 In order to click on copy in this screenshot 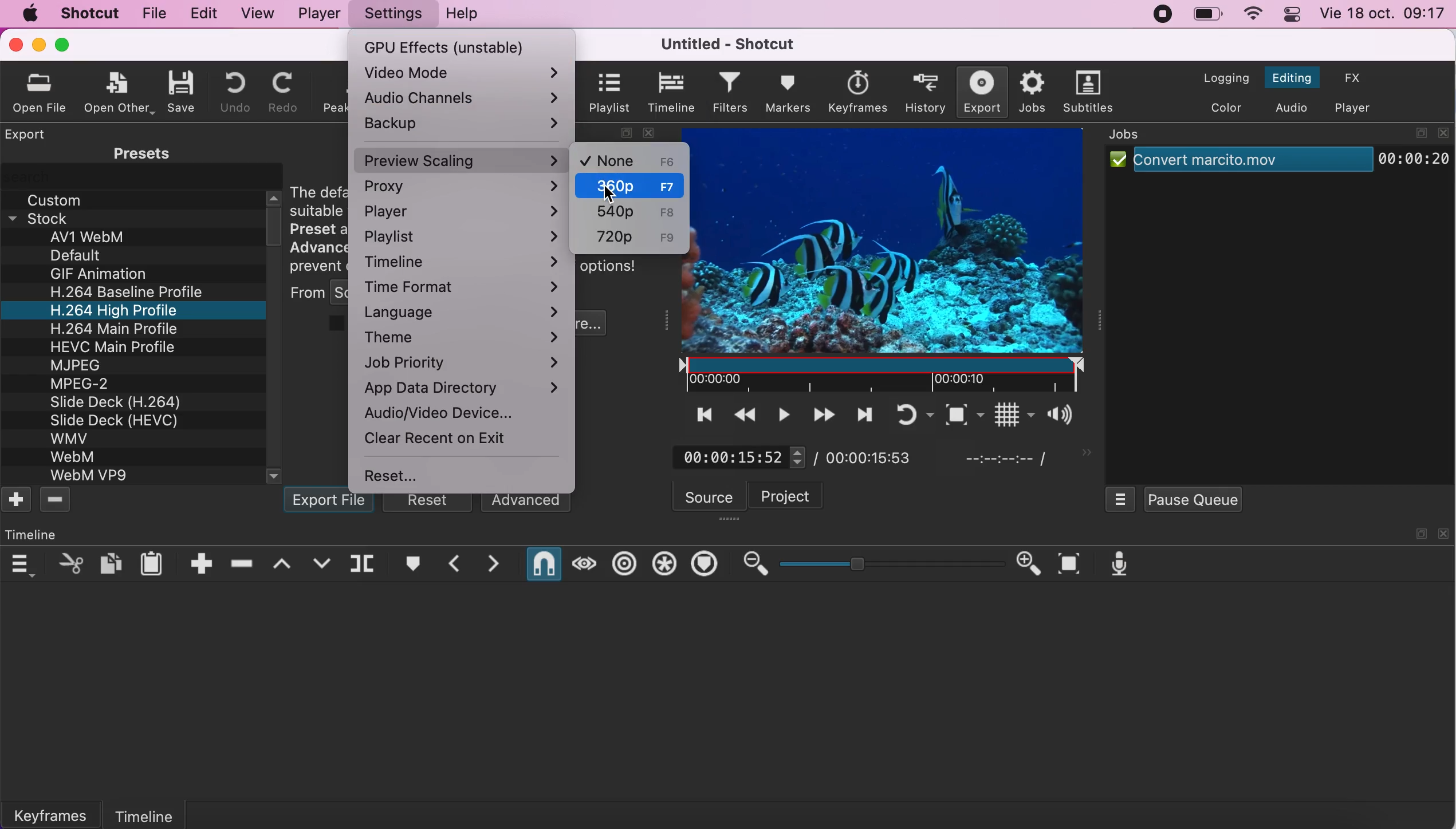, I will do `click(111, 562)`.